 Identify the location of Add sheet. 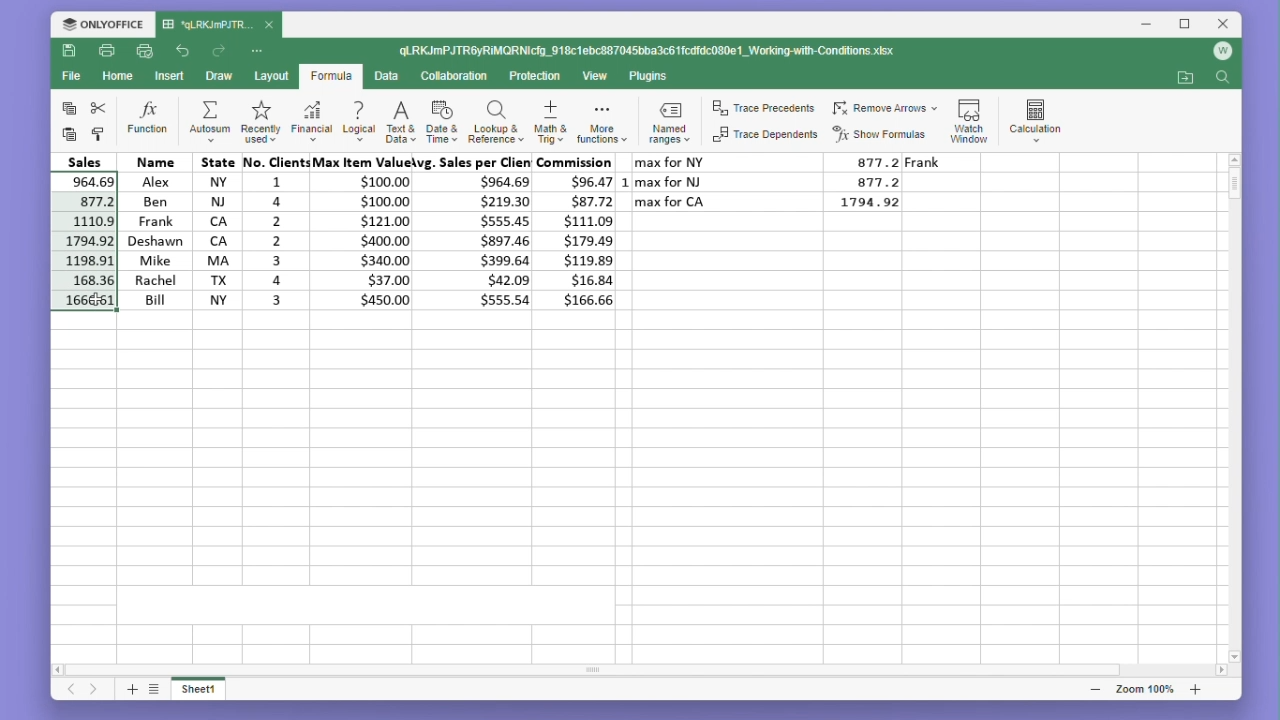
(130, 691).